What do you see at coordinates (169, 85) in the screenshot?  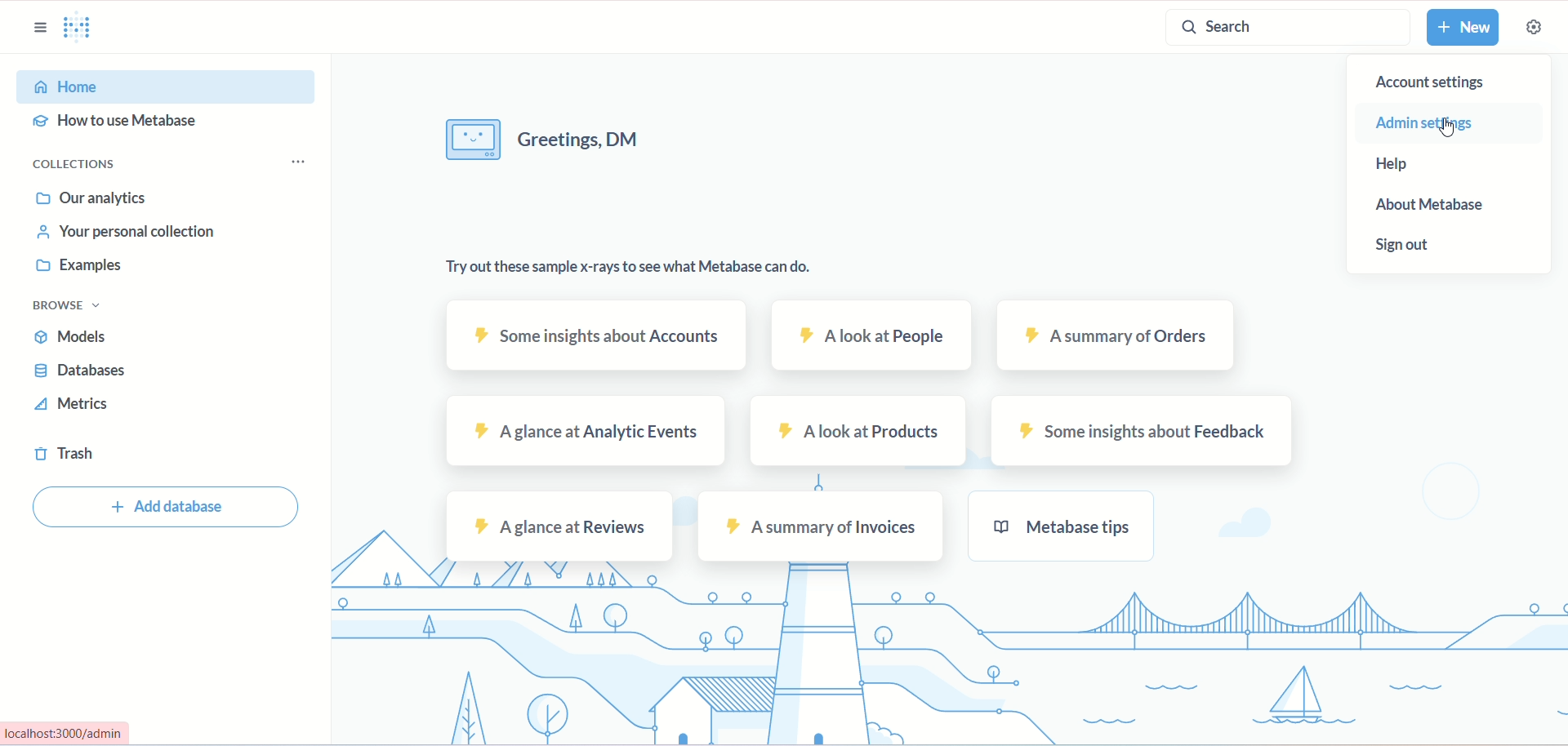 I see `home` at bounding box center [169, 85].